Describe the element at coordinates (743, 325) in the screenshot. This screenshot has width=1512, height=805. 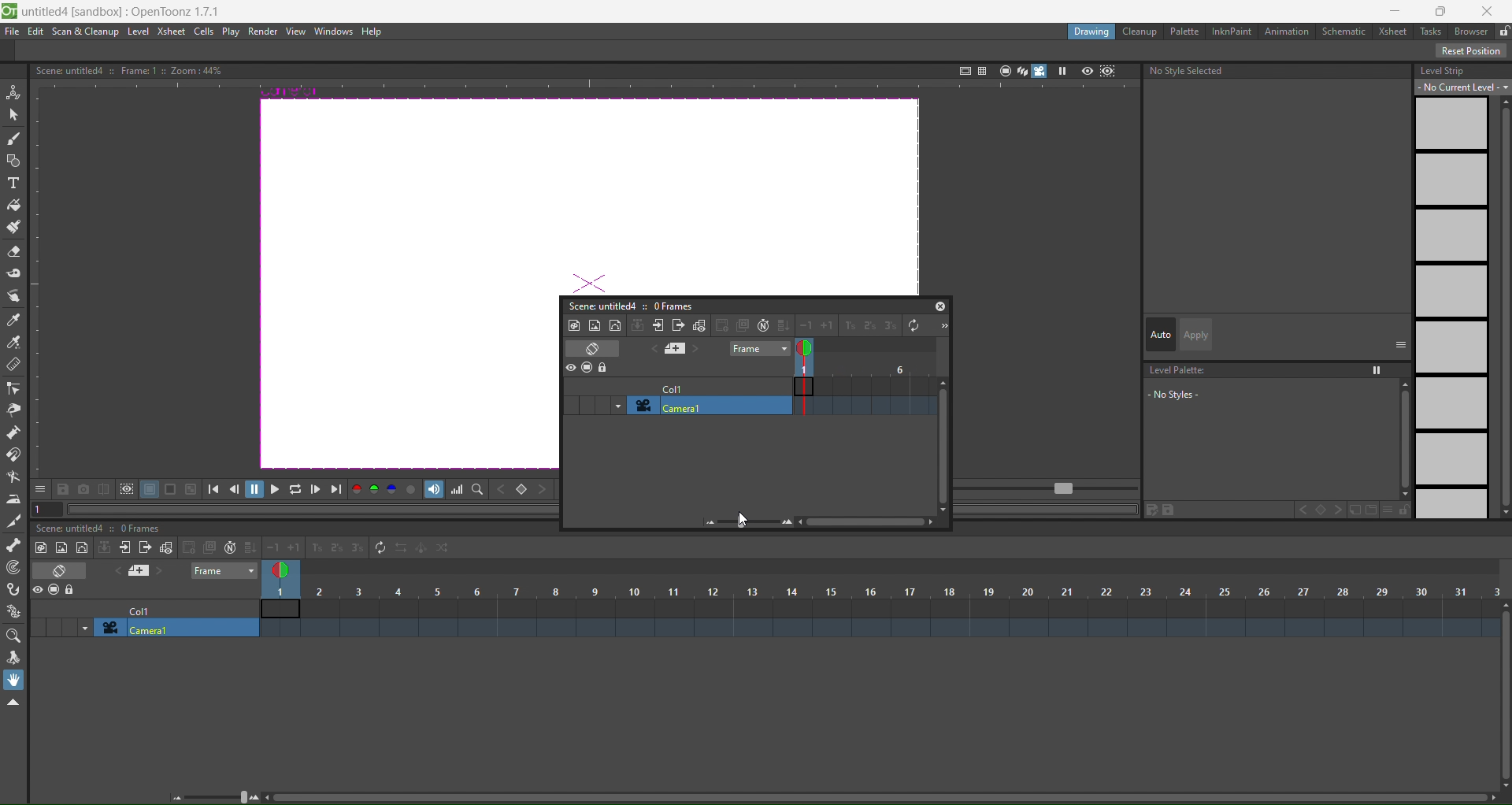
I see `` at that location.